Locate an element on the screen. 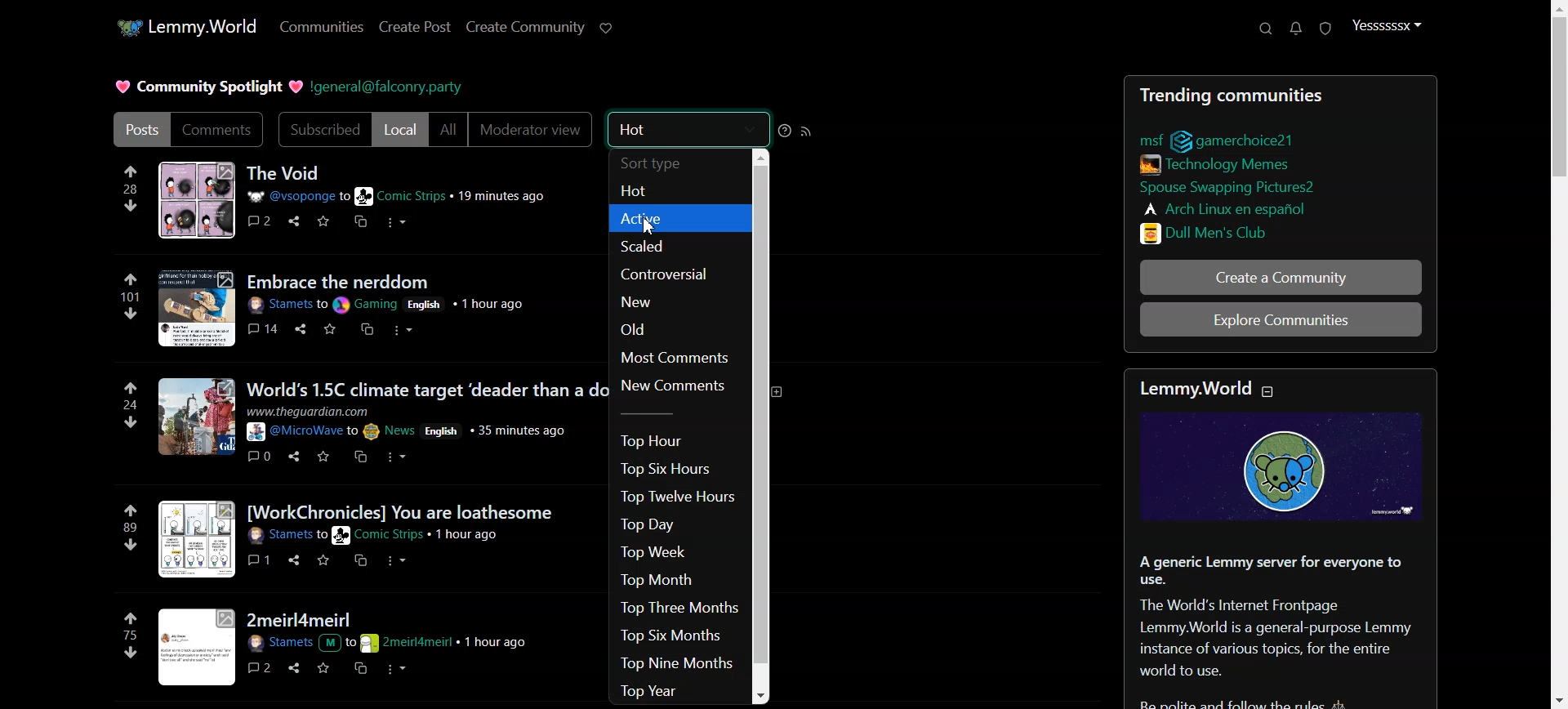 Image resolution: width=1568 pixels, height=709 pixels. Posts is located at coordinates (283, 171).